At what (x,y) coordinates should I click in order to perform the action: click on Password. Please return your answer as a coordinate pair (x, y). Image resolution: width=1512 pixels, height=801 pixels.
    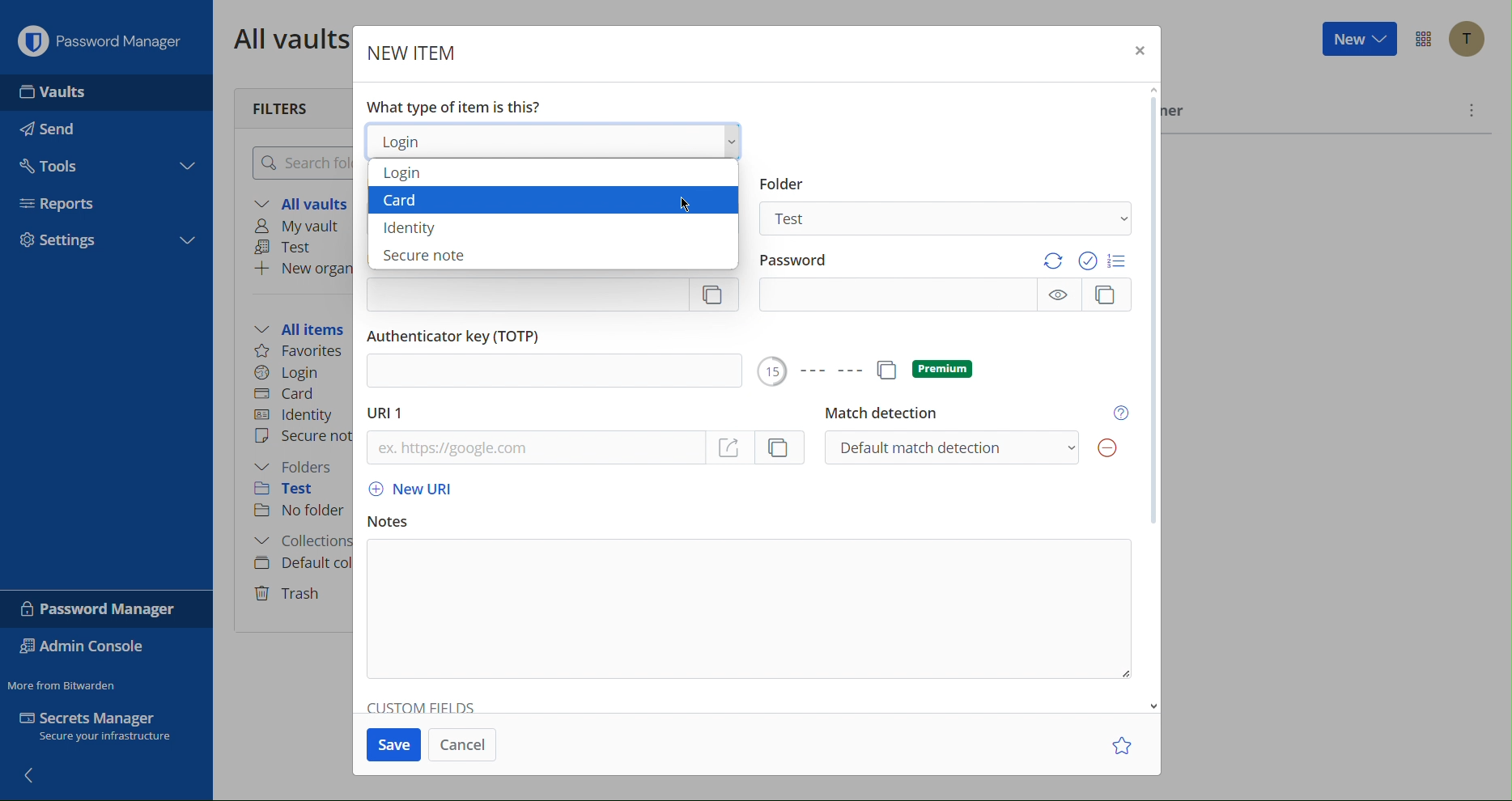
    Looking at the image, I should click on (791, 260).